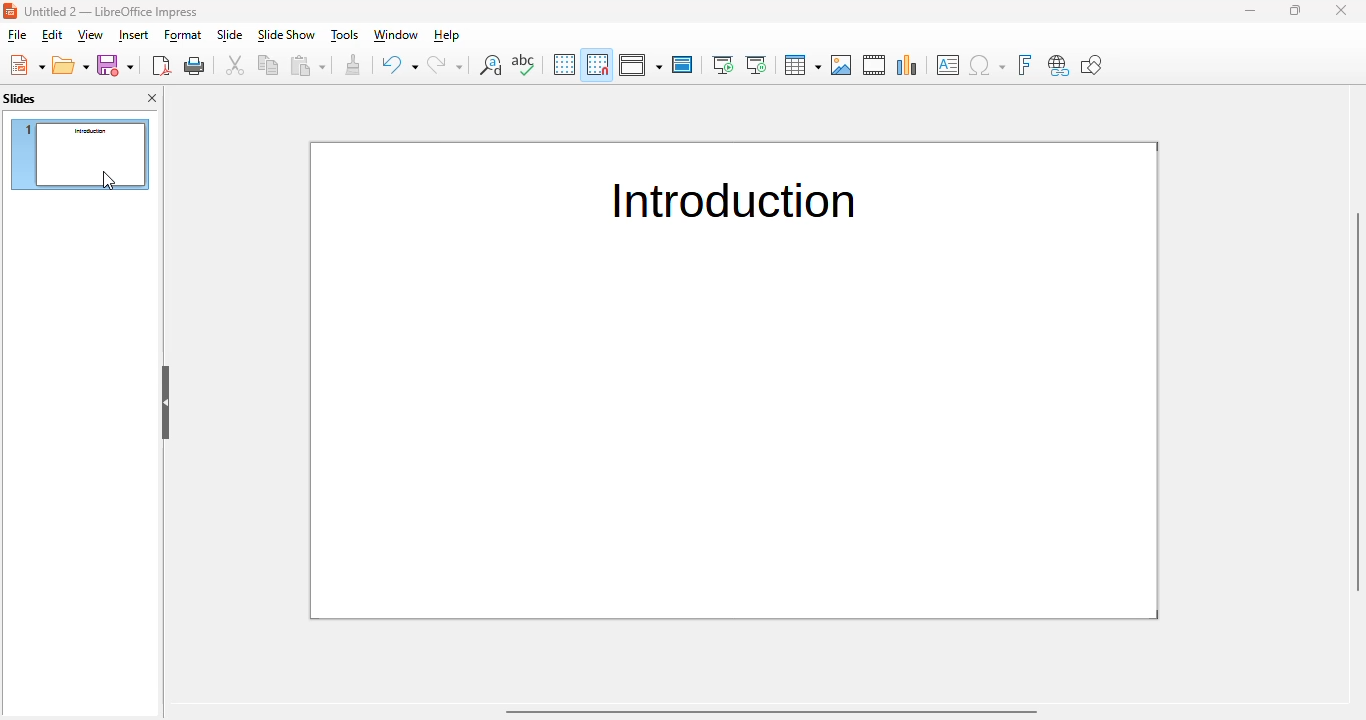  What do you see at coordinates (1296, 10) in the screenshot?
I see `maximize` at bounding box center [1296, 10].